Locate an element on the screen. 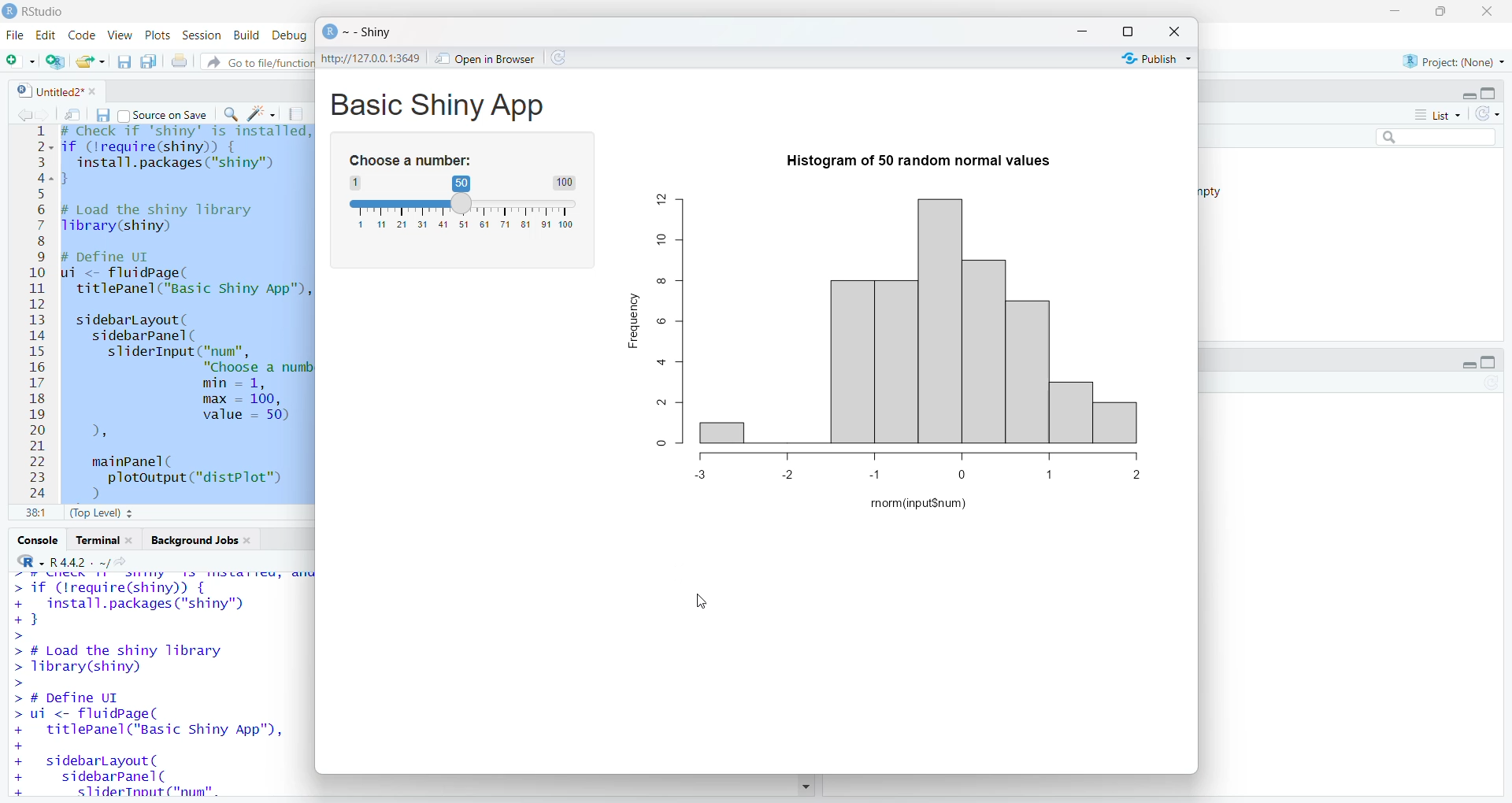 The image size is (1512, 803). Terminal is located at coordinates (94, 539).